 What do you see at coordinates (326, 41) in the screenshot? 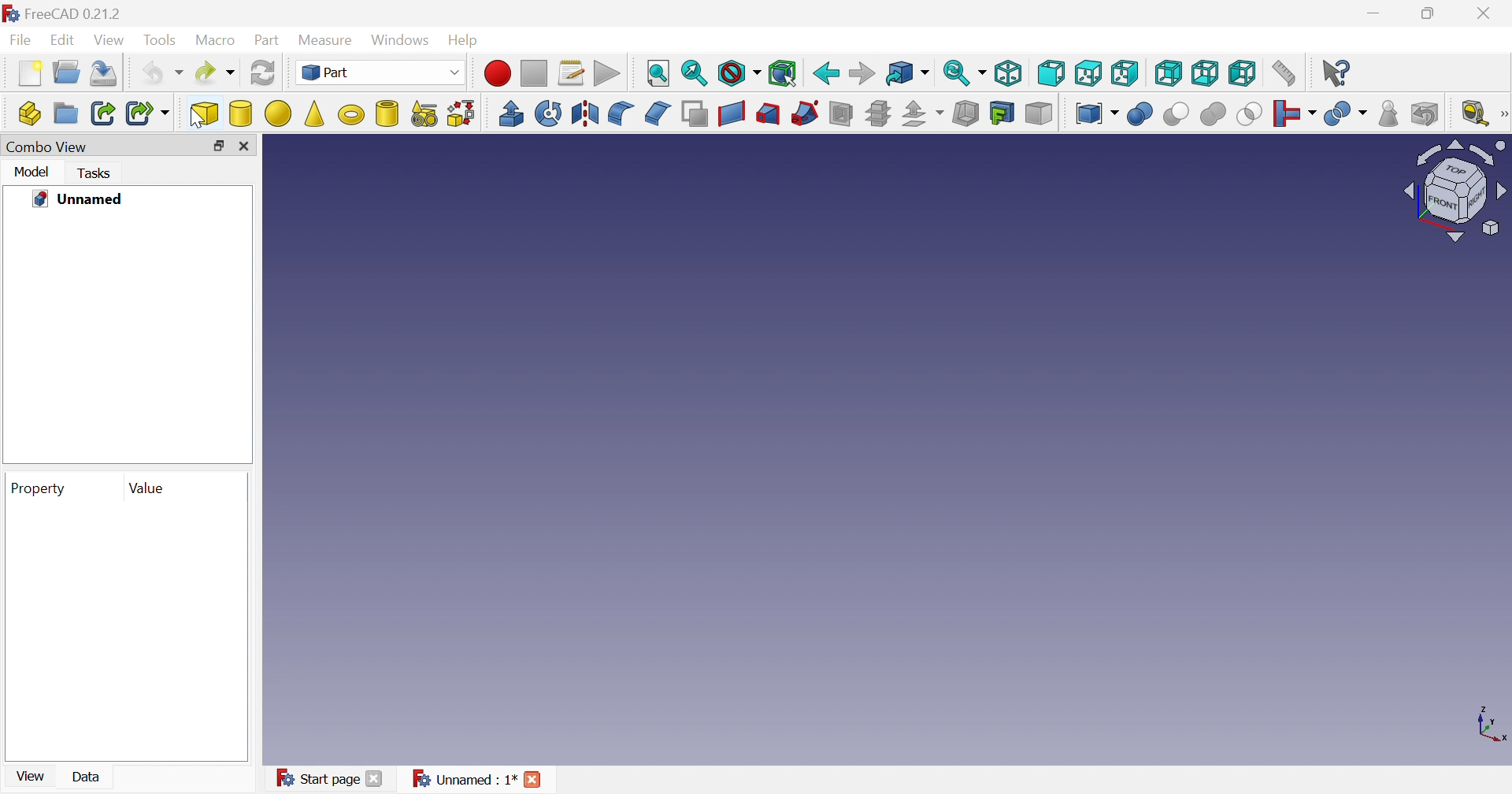
I see `Measure` at bounding box center [326, 41].